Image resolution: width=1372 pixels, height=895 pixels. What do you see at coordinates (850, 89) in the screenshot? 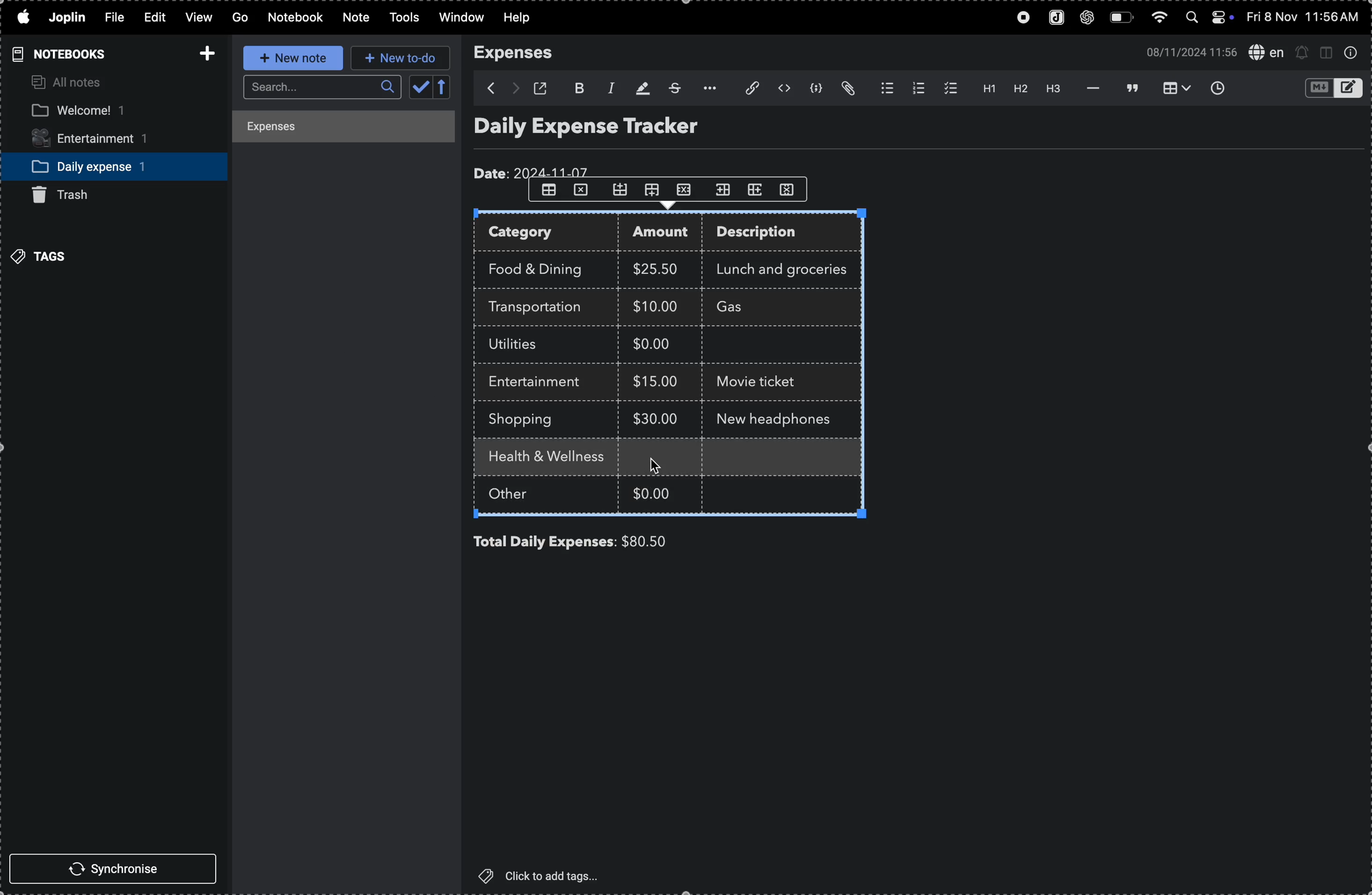
I see `attach file` at bounding box center [850, 89].